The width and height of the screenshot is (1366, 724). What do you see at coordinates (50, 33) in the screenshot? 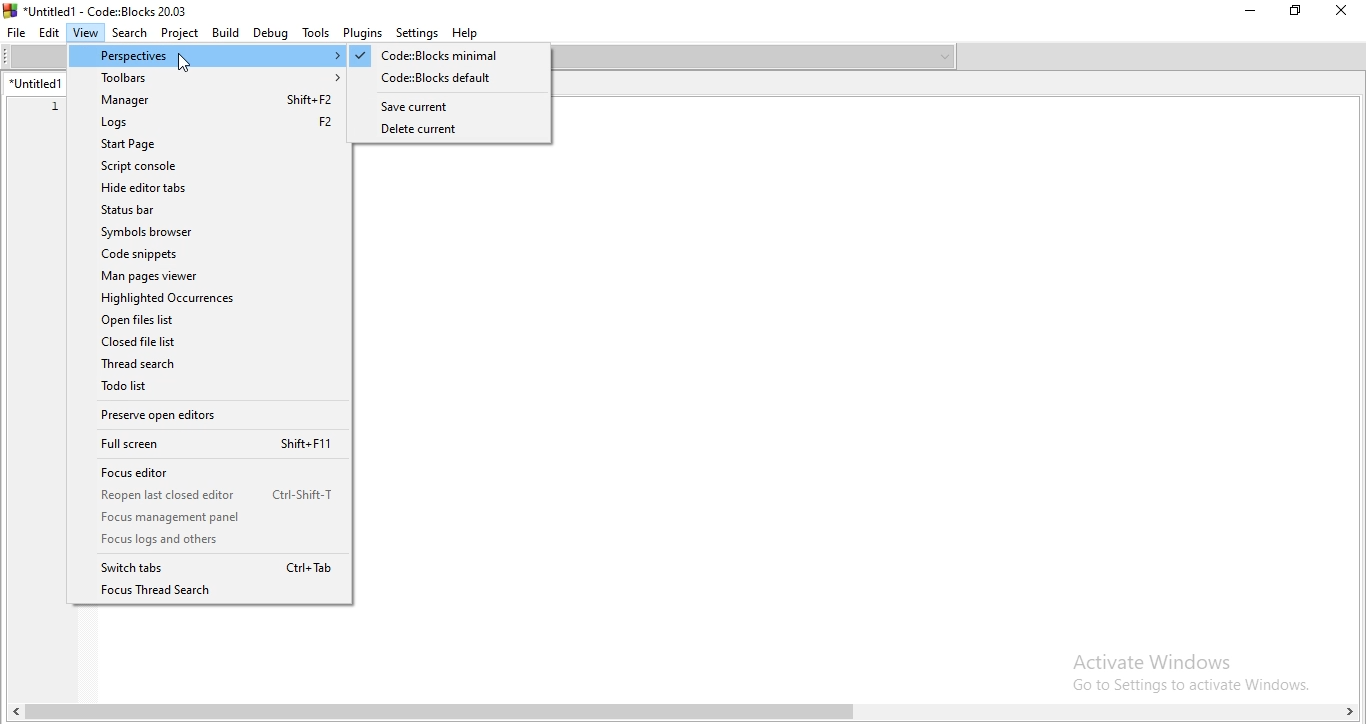
I see `Edit ` at bounding box center [50, 33].